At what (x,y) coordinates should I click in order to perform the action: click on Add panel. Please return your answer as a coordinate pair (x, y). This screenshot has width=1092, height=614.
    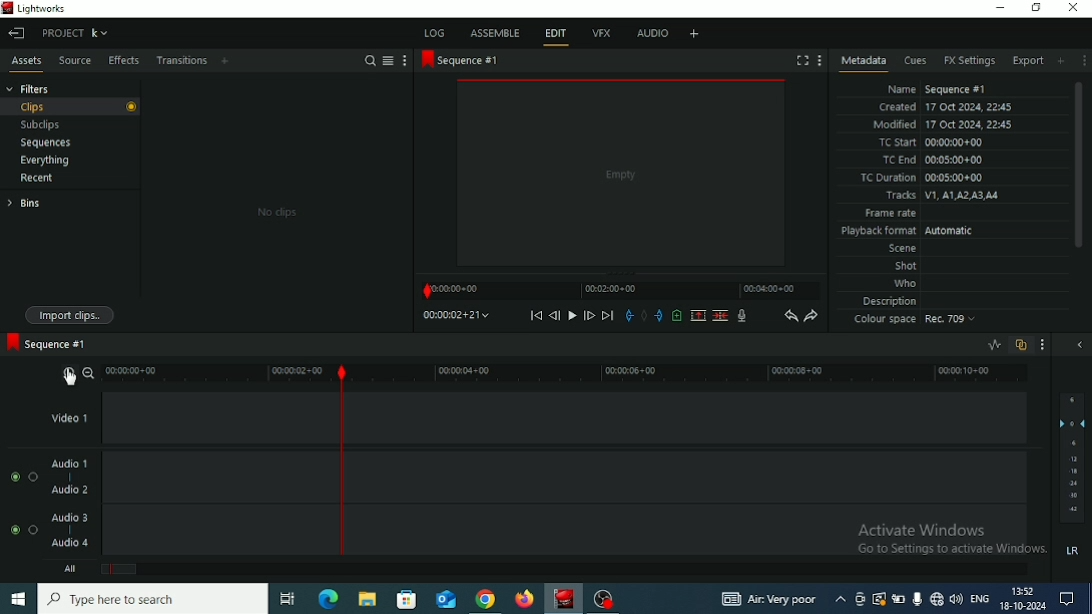
    Looking at the image, I should click on (227, 60).